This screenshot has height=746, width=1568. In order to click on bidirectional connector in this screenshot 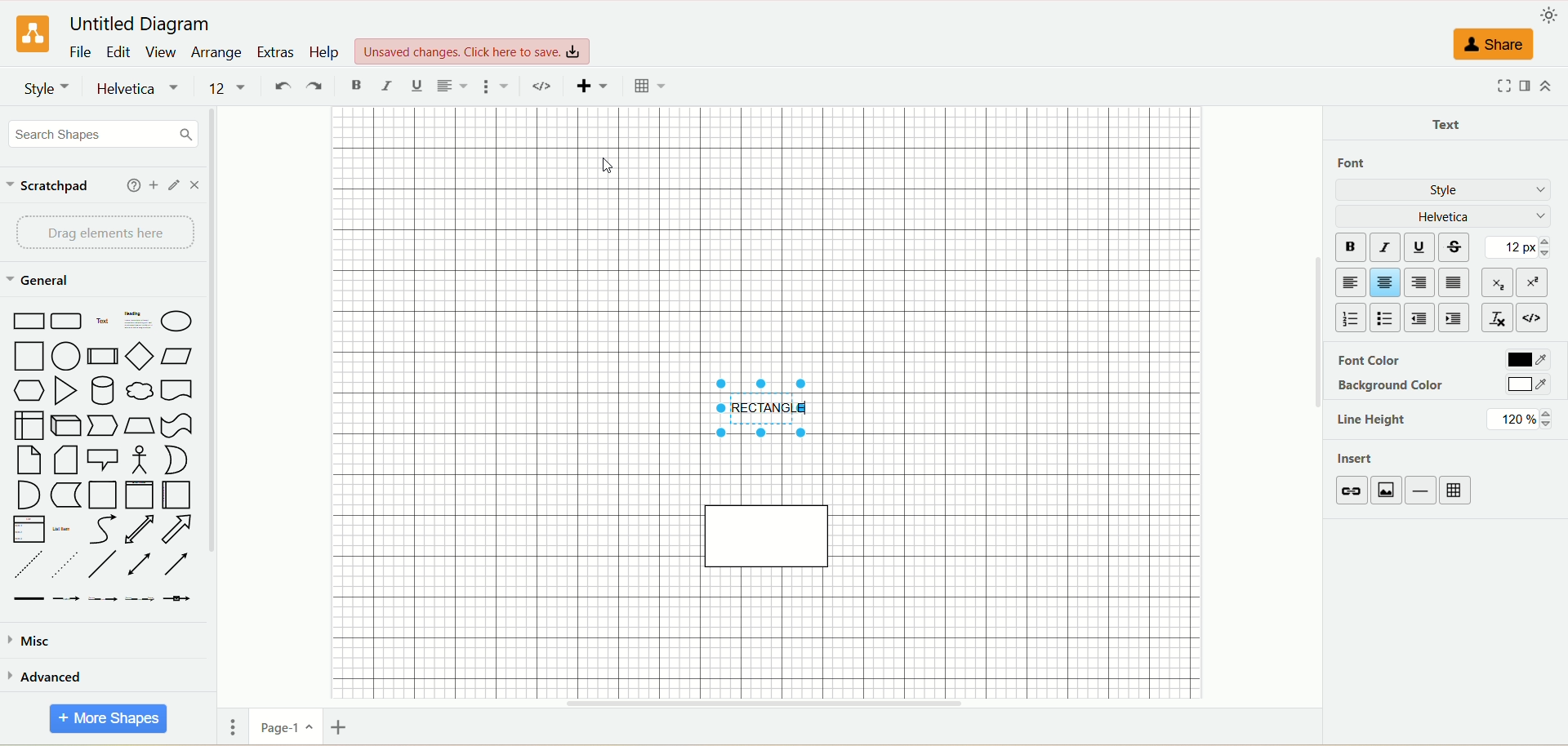, I will do `click(142, 564)`.